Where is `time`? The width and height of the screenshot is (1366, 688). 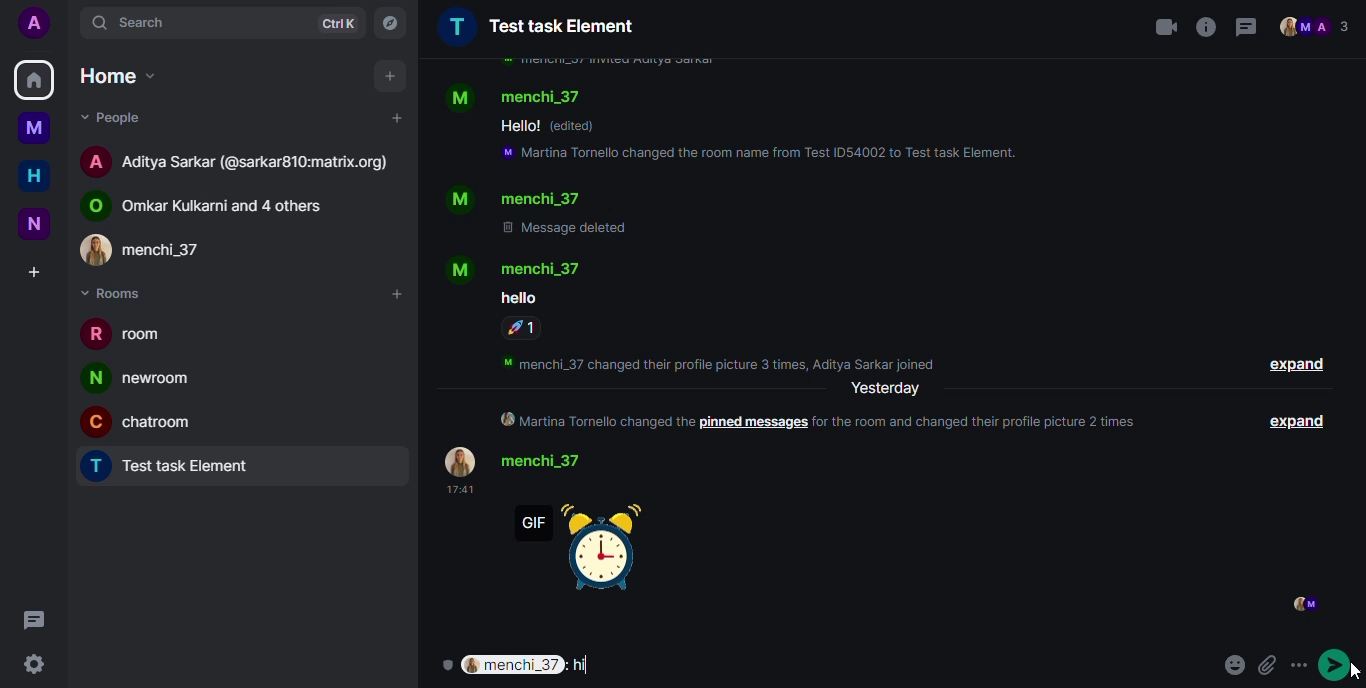
time is located at coordinates (457, 490).